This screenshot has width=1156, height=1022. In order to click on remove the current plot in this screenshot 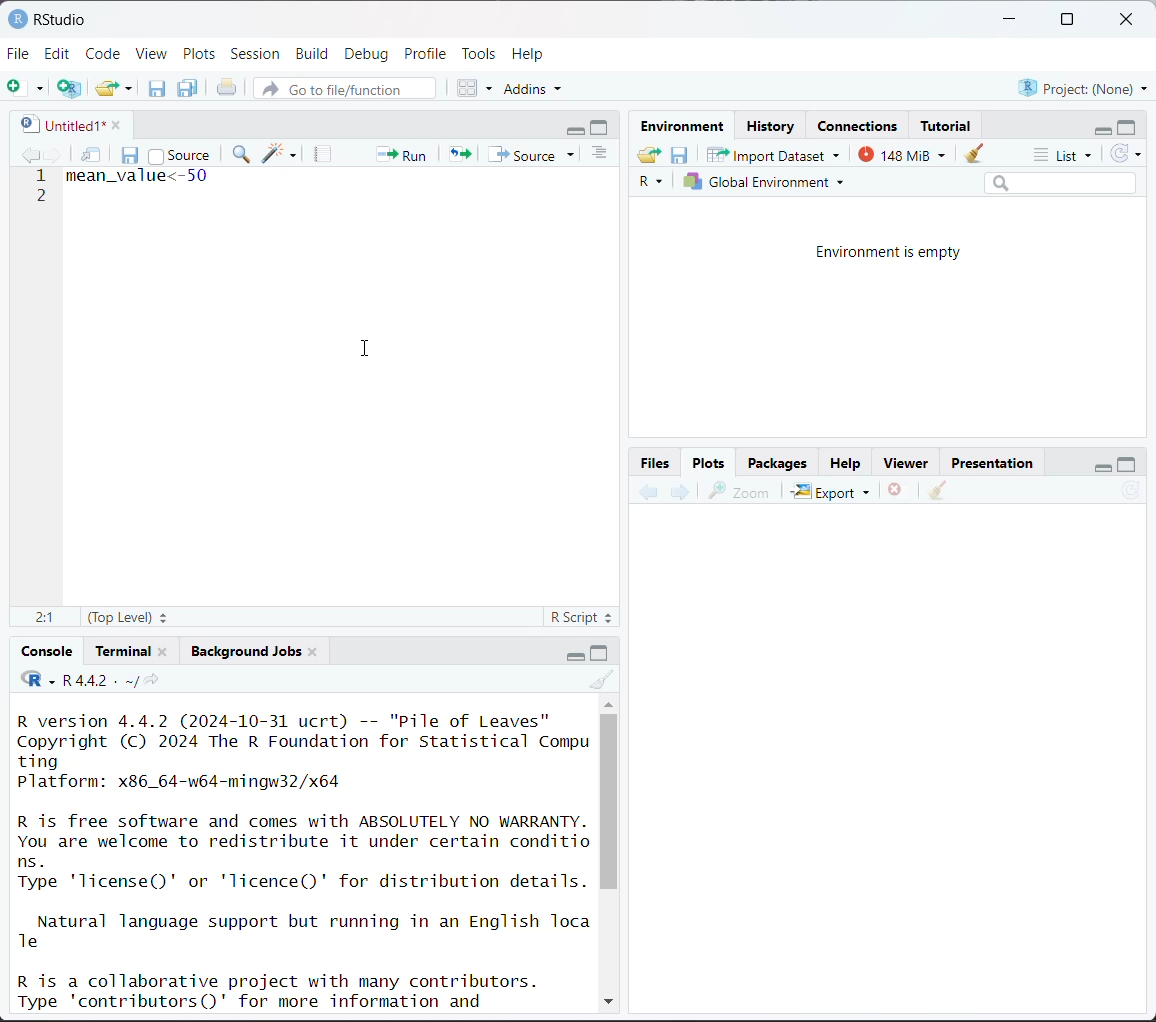, I will do `click(896, 493)`.